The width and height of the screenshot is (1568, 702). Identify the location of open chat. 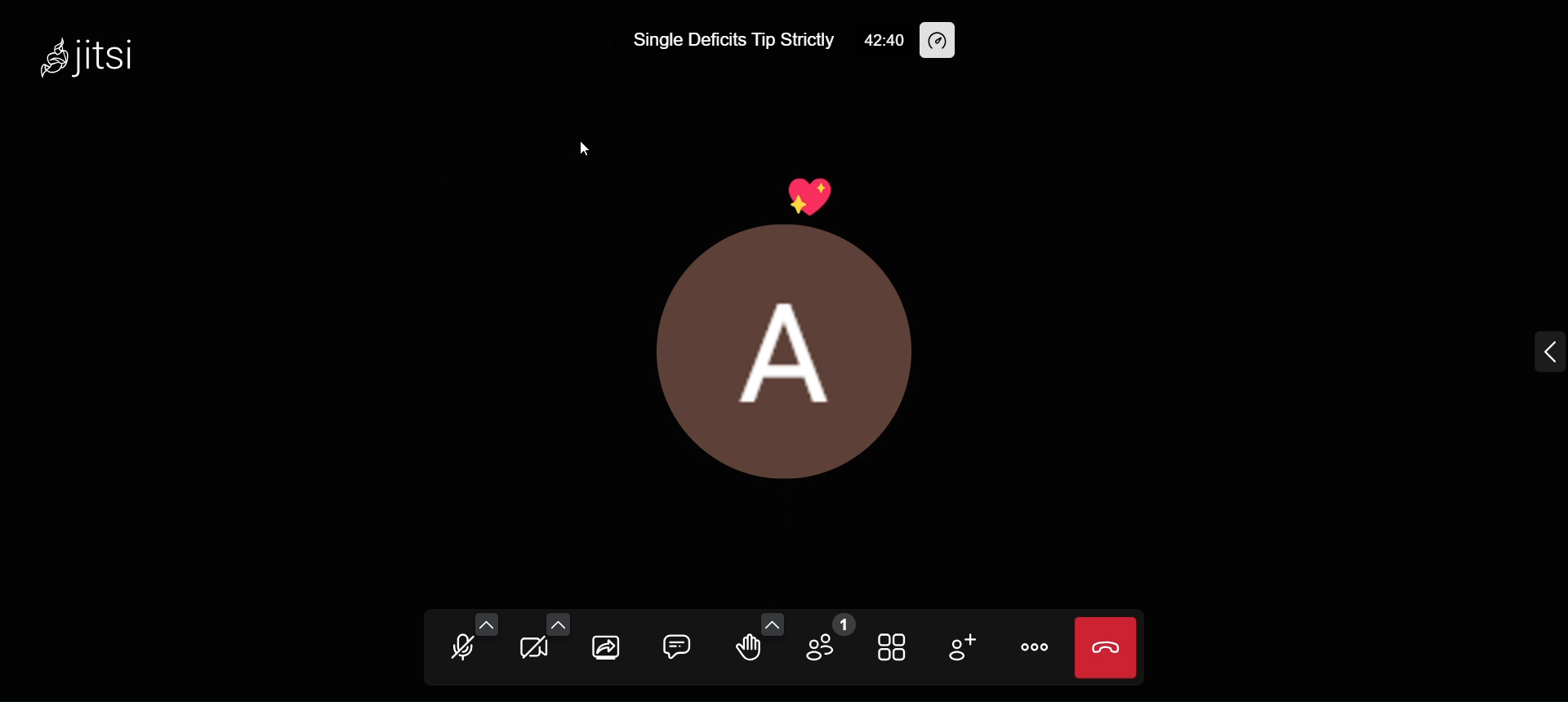
(678, 643).